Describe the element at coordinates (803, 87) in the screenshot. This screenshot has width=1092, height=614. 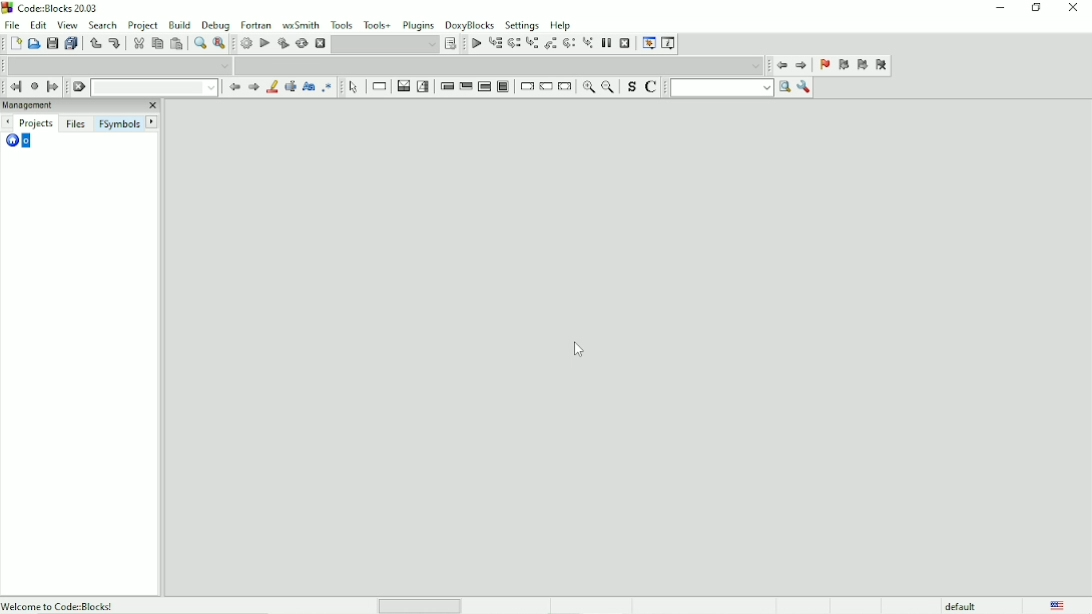
I see `Show options window` at that location.